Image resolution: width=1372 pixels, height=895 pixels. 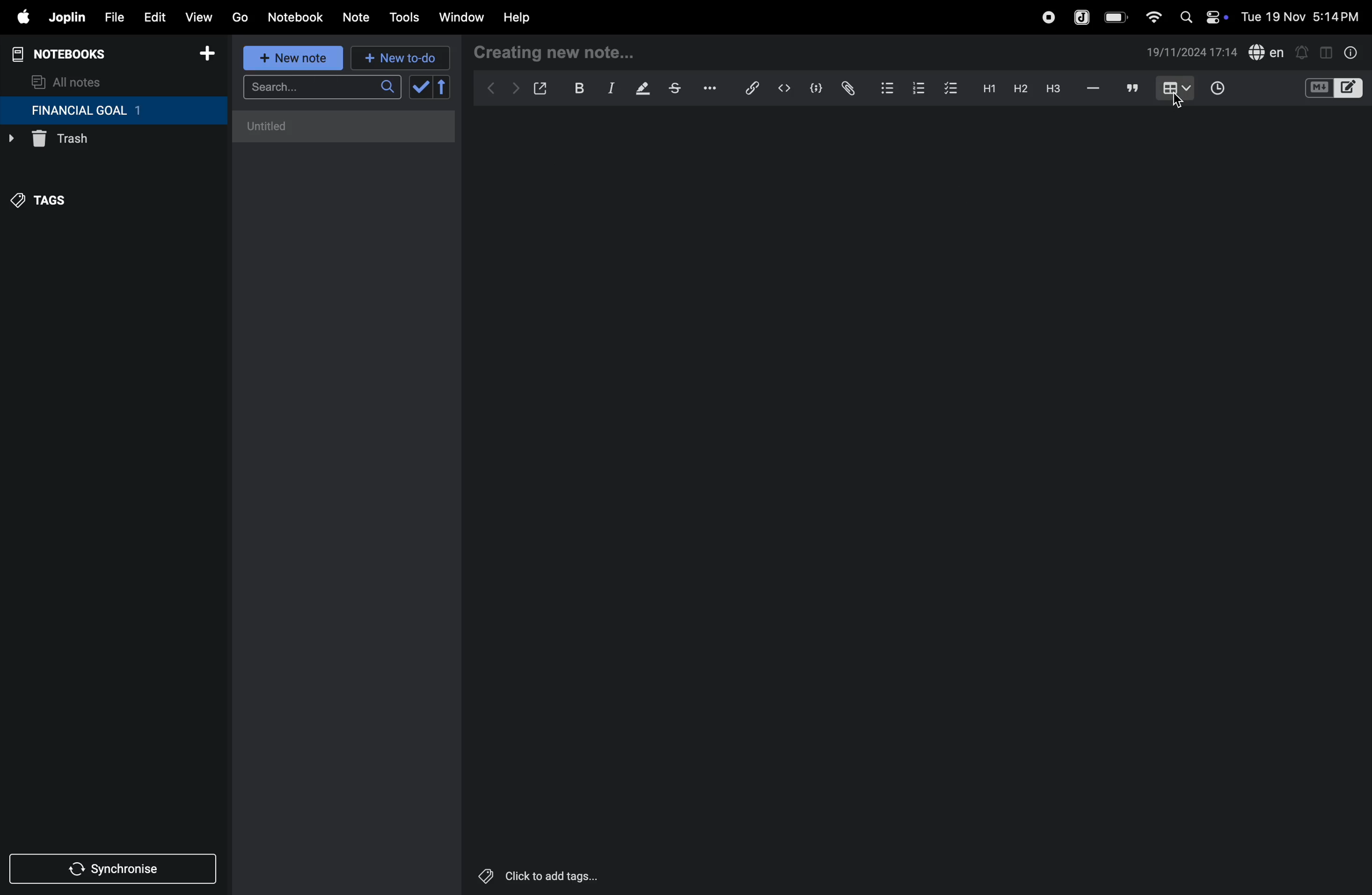 What do you see at coordinates (1192, 52) in the screenshot?
I see `date and time` at bounding box center [1192, 52].